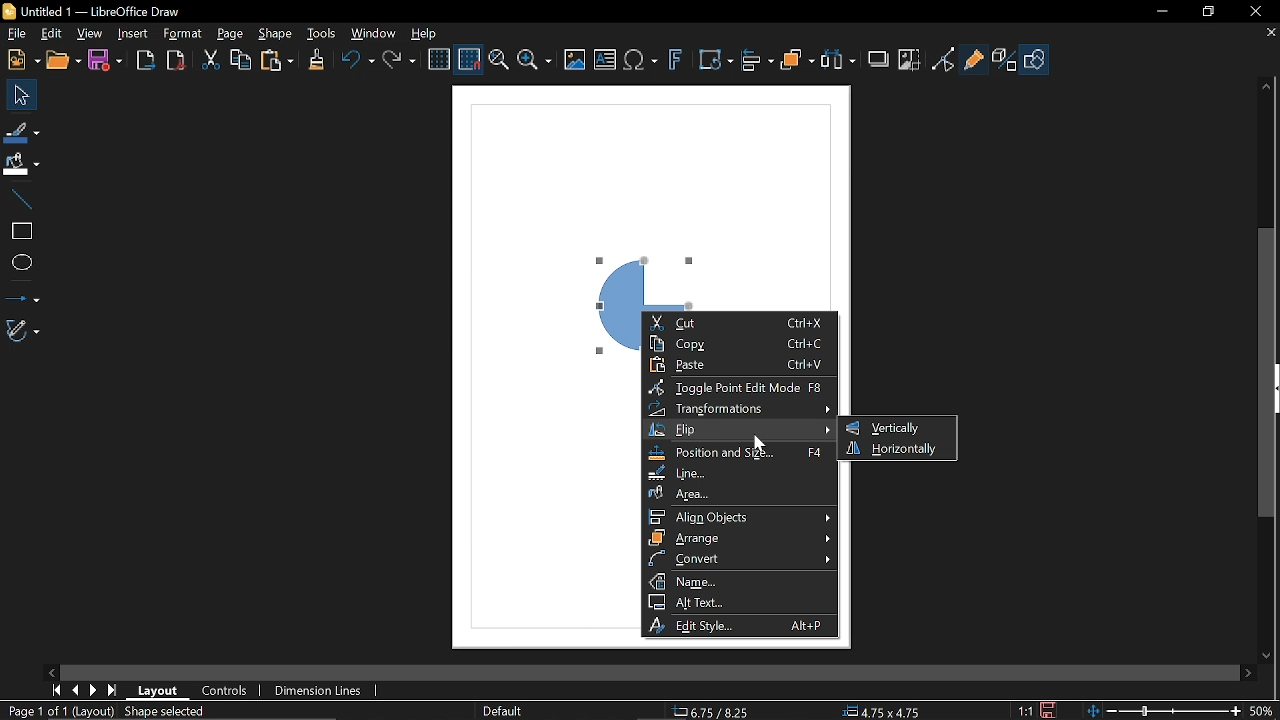 This screenshot has width=1280, height=720. What do you see at coordinates (740, 559) in the screenshot?
I see `Convert` at bounding box center [740, 559].